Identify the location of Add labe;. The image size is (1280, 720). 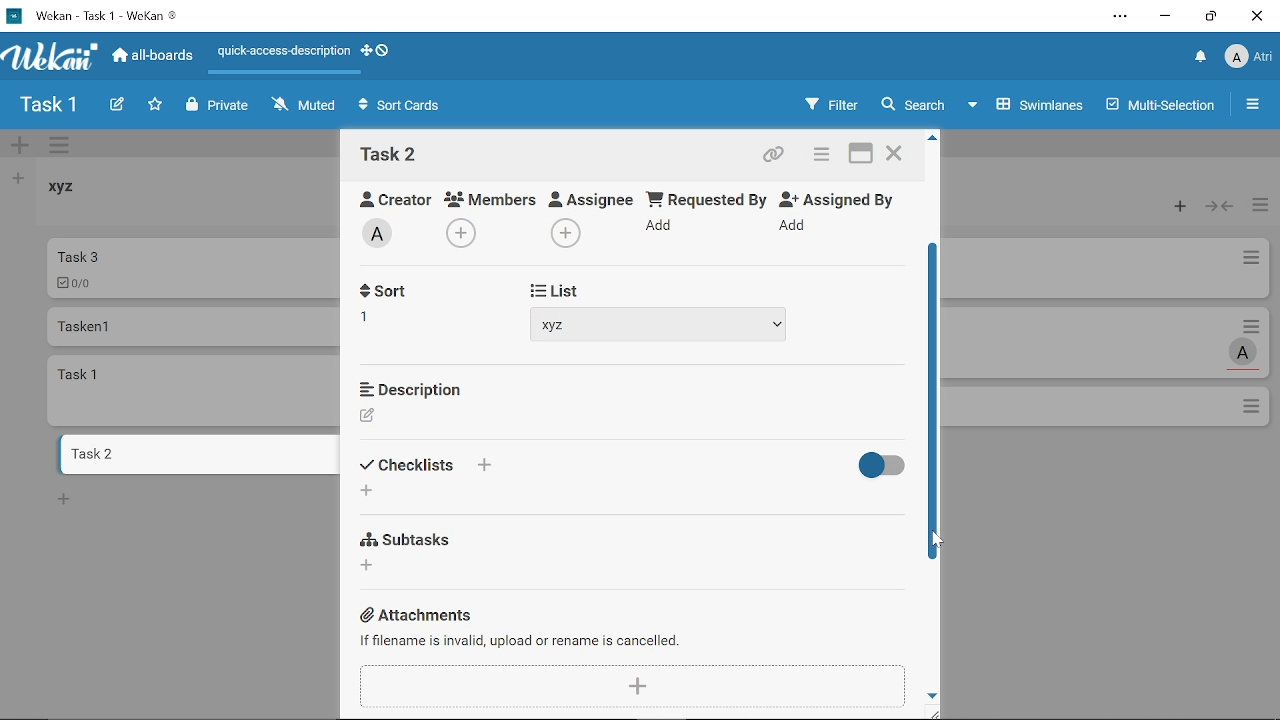
(384, 236).